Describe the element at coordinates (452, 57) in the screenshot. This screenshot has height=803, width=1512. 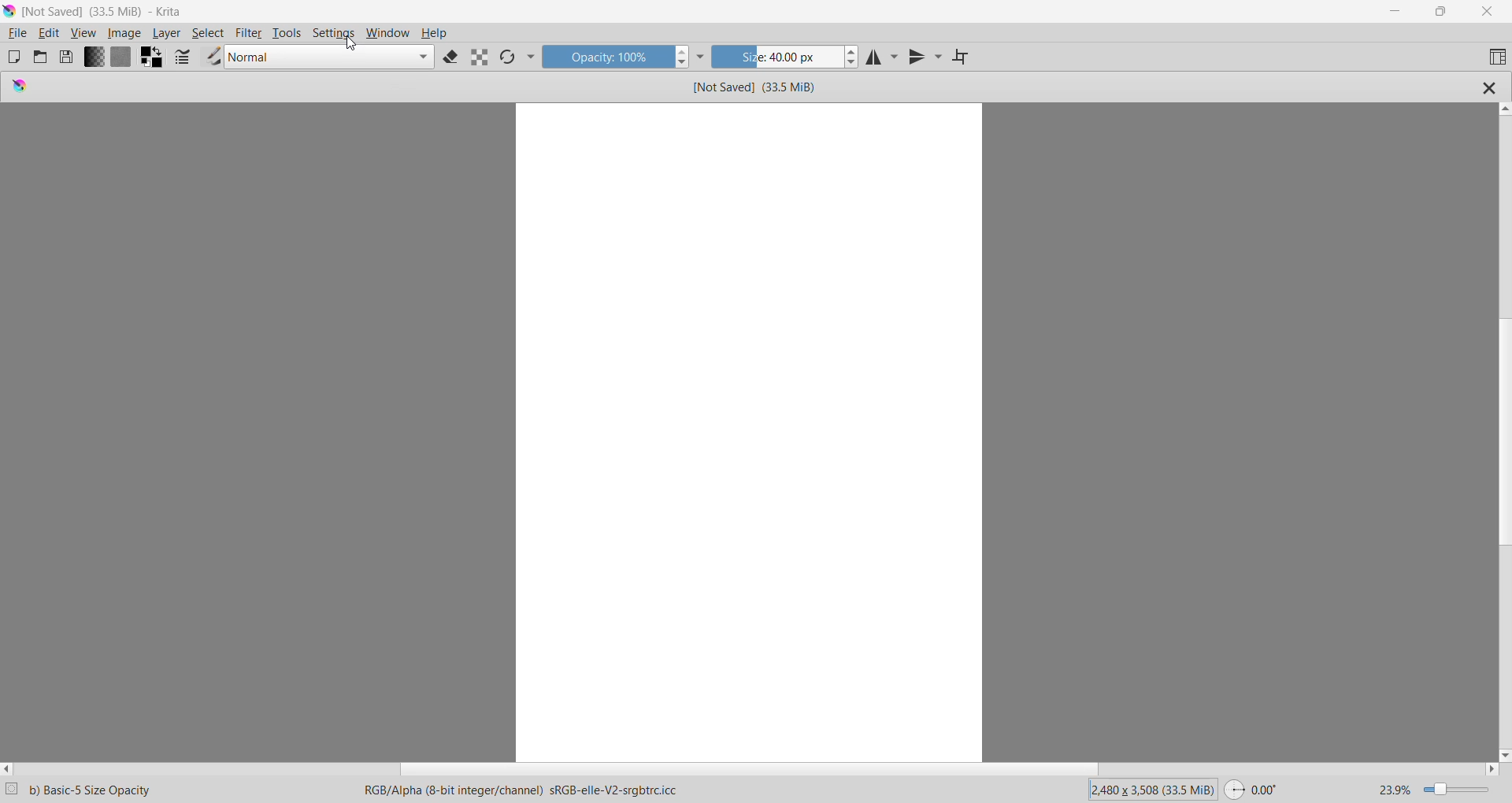
I see `Set Eraser Mode` at that location.